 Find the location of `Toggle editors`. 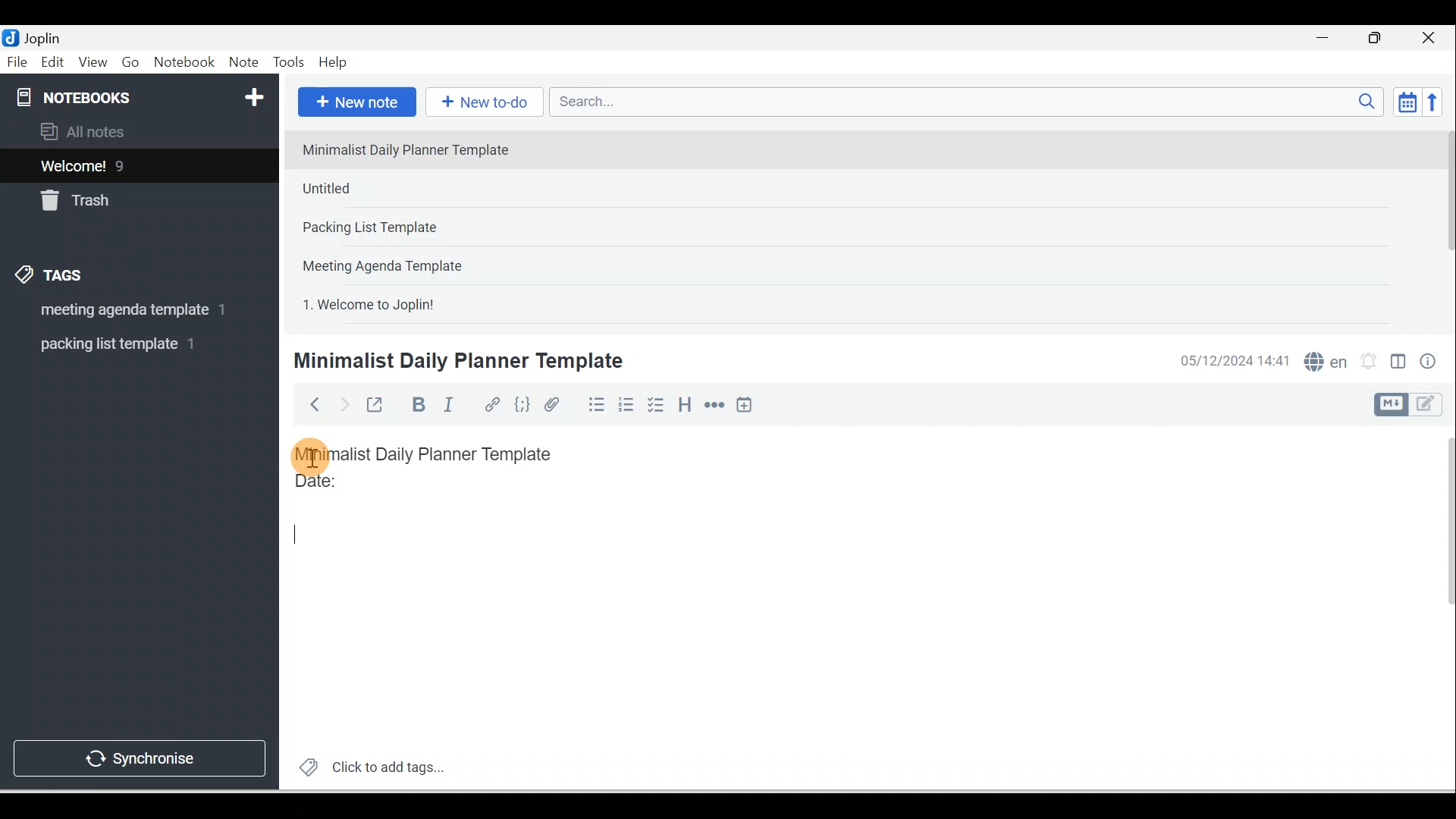

Toggle editors is located at coordinates (1398, 364).